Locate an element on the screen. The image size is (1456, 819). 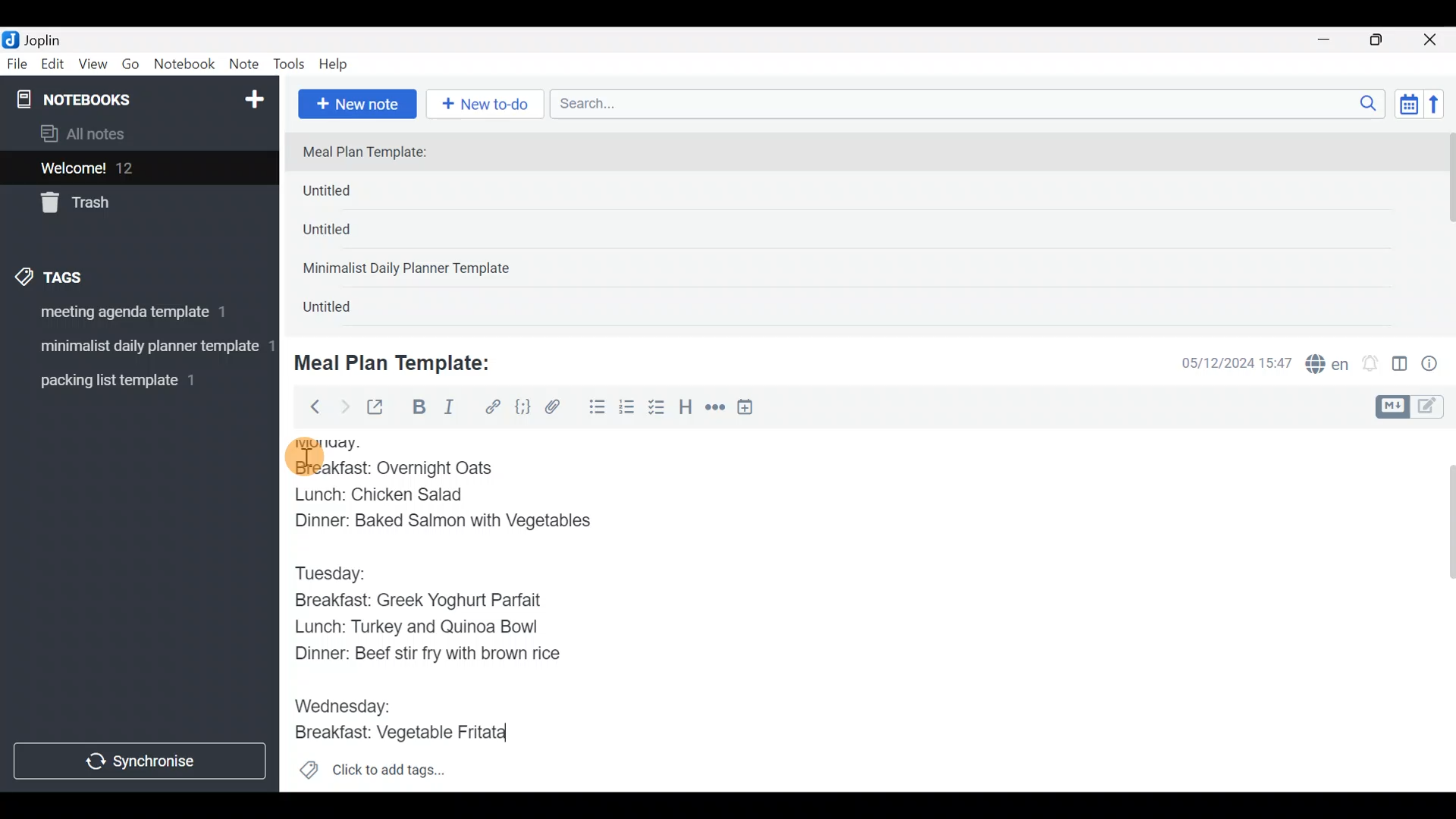
Note properties is located at coordinates (1436, 365).